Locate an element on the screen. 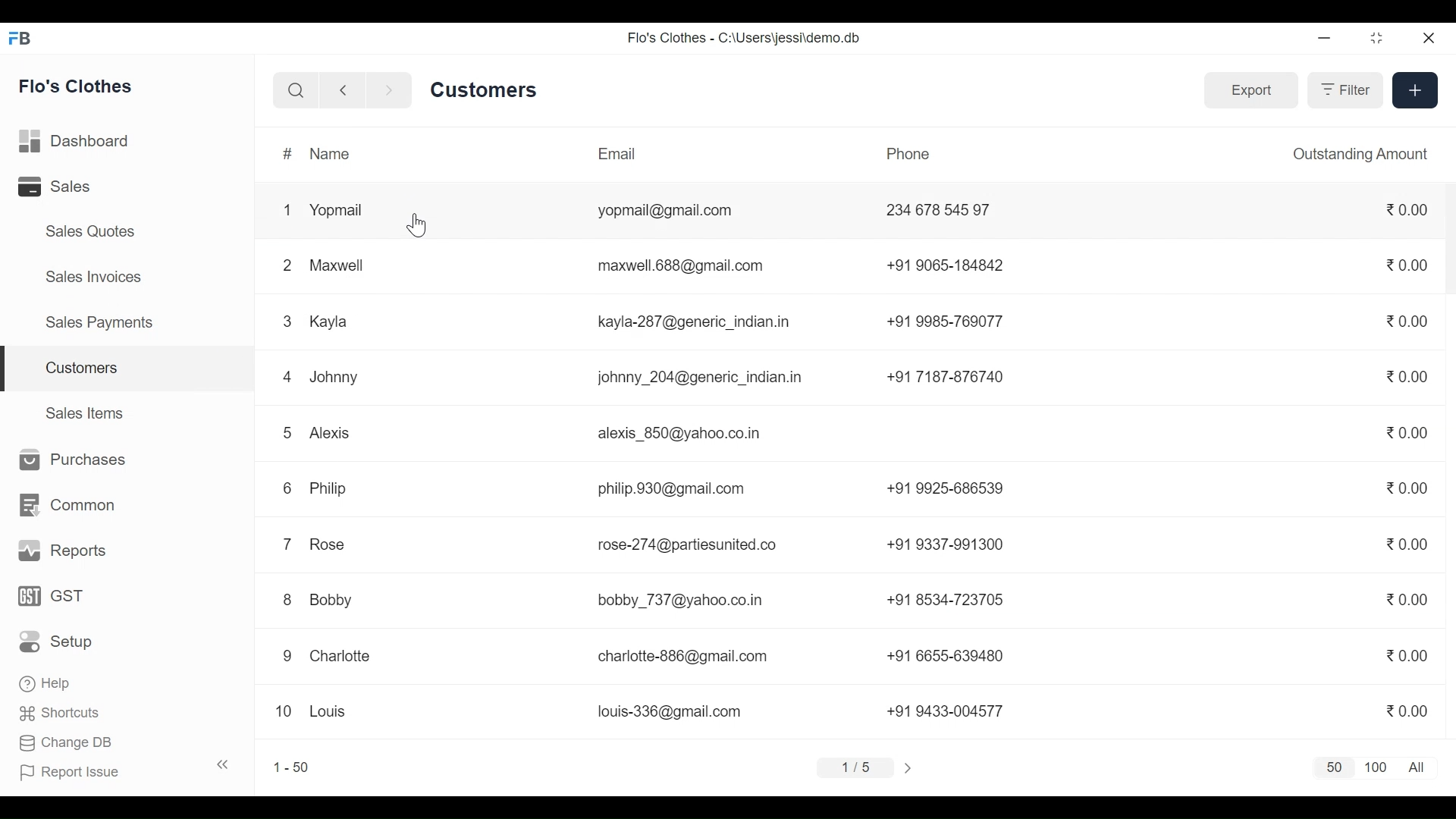 Image resolution: width=1456 pixels, height=819 pixels. philip.930@gmail.com is located at coordinates (672, 490).